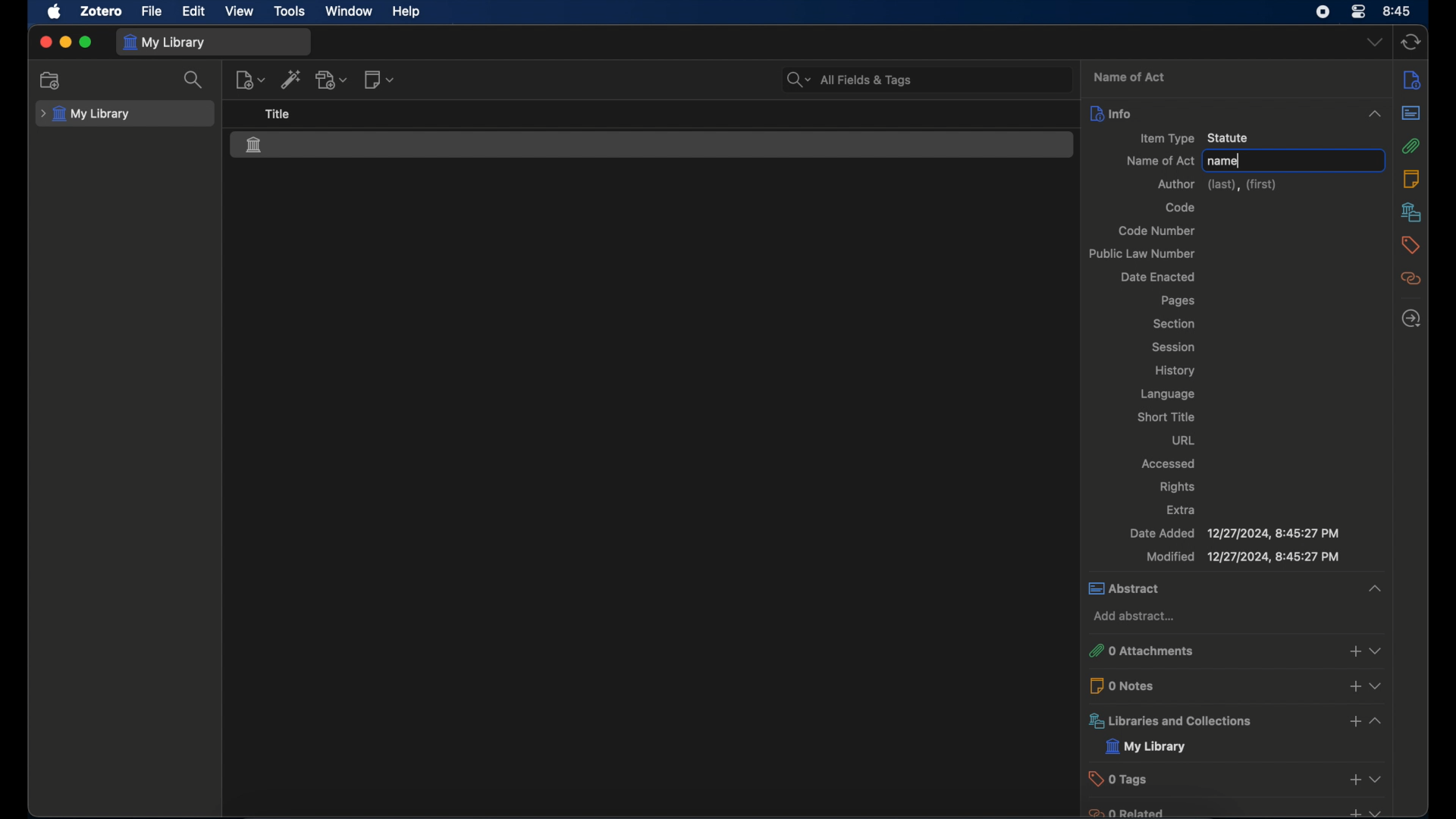 The image size is (1456, 819). Describe the element at coordinates (1398, 10) in the screenshot. I see `8.45` at that location.